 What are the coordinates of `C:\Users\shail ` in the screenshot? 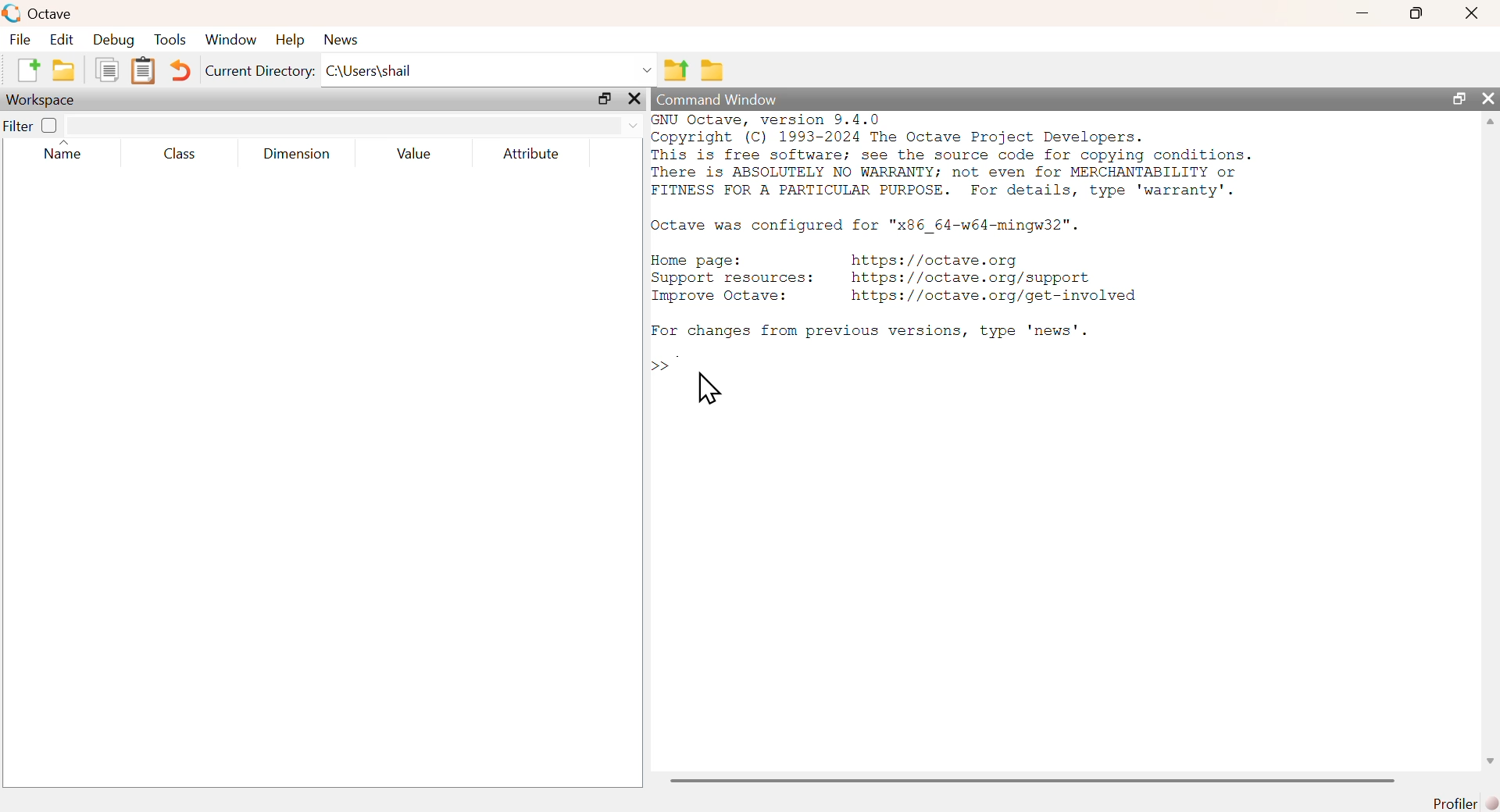 It's located at (489, 66).